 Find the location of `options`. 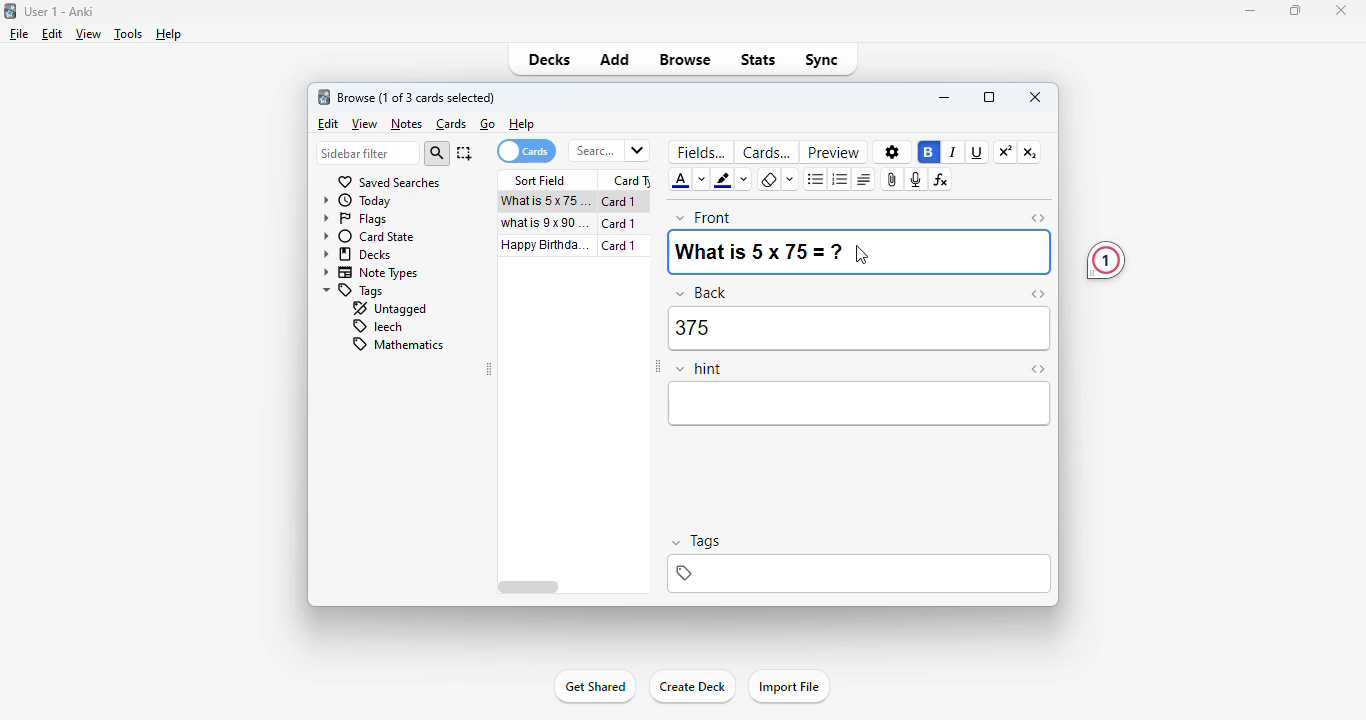

options is located at coordinates (890, 151).